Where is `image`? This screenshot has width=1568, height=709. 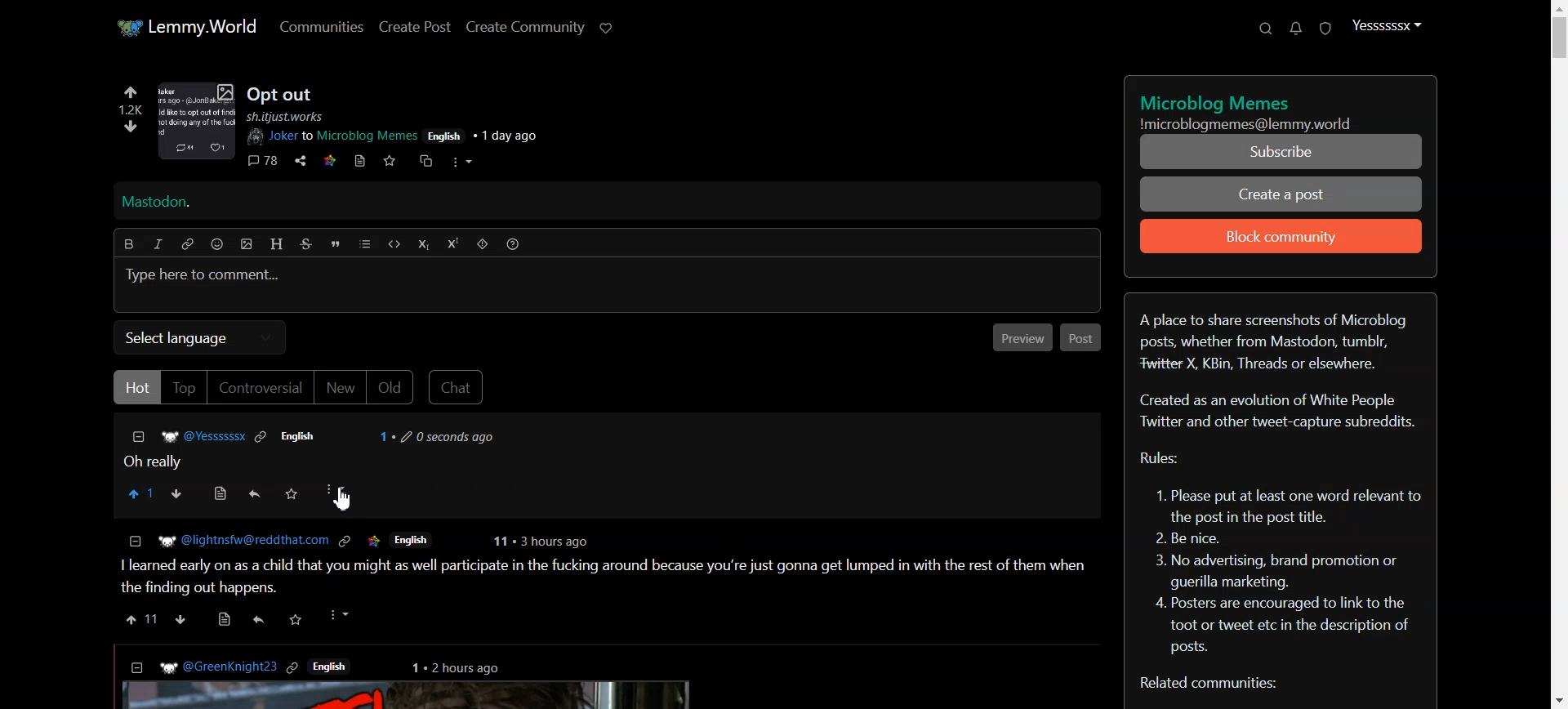 image is located at coordinates (198, 123).